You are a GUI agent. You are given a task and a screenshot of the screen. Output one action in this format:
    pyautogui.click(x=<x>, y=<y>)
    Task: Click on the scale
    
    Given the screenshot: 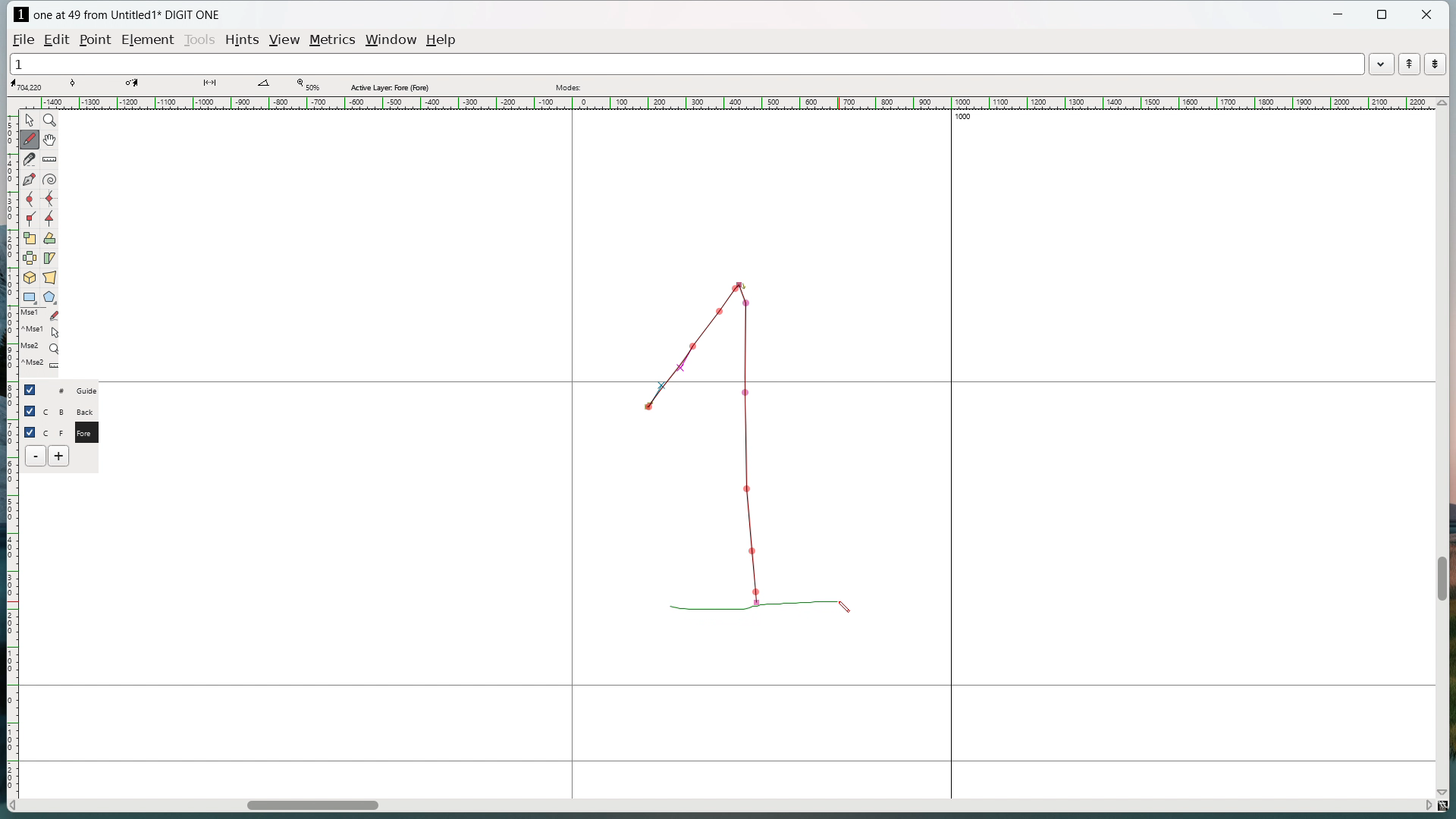 What is the action you would take?
    pyautogui.click(x=30, y=237)
    